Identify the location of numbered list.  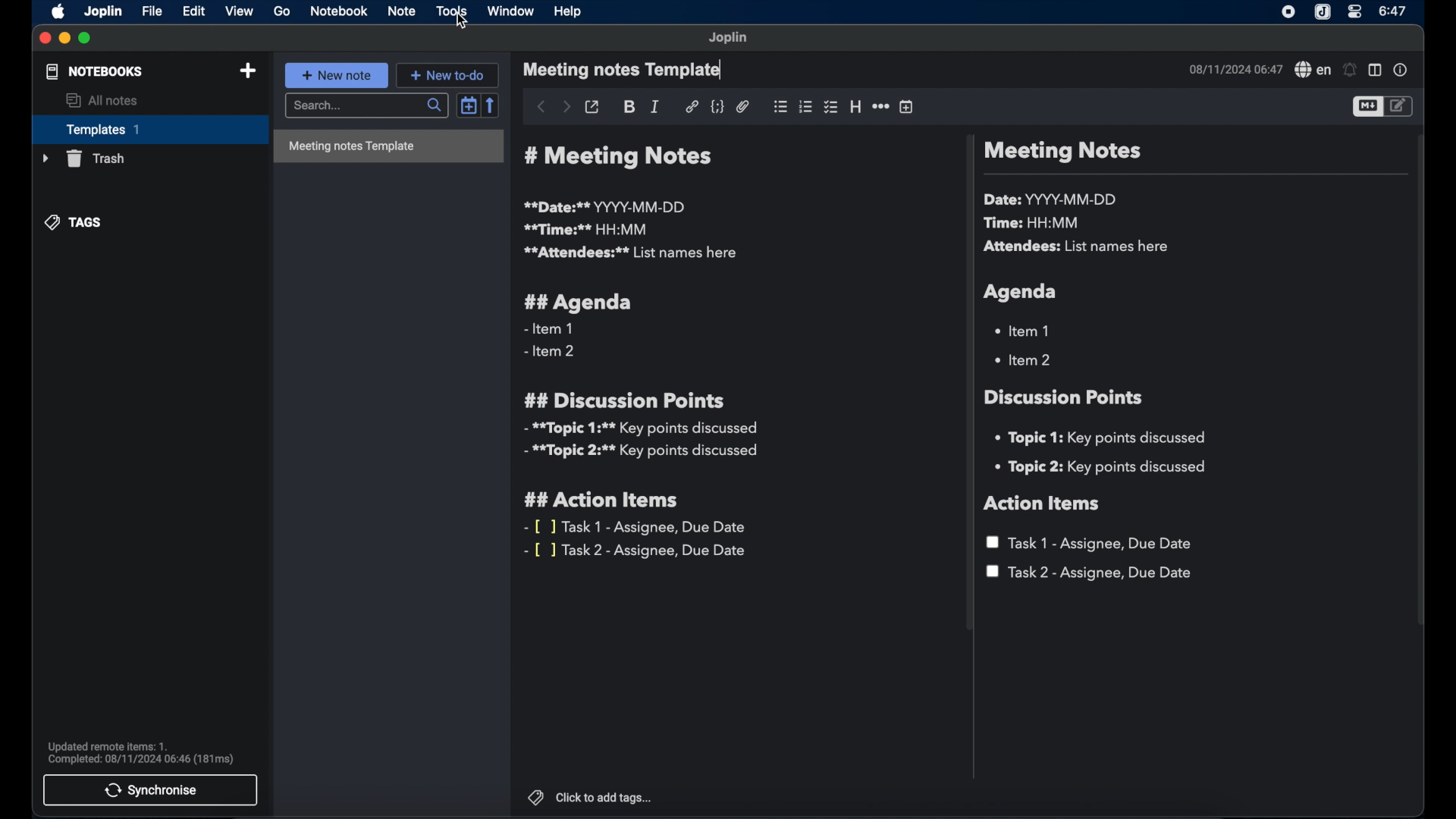
(805, 107).